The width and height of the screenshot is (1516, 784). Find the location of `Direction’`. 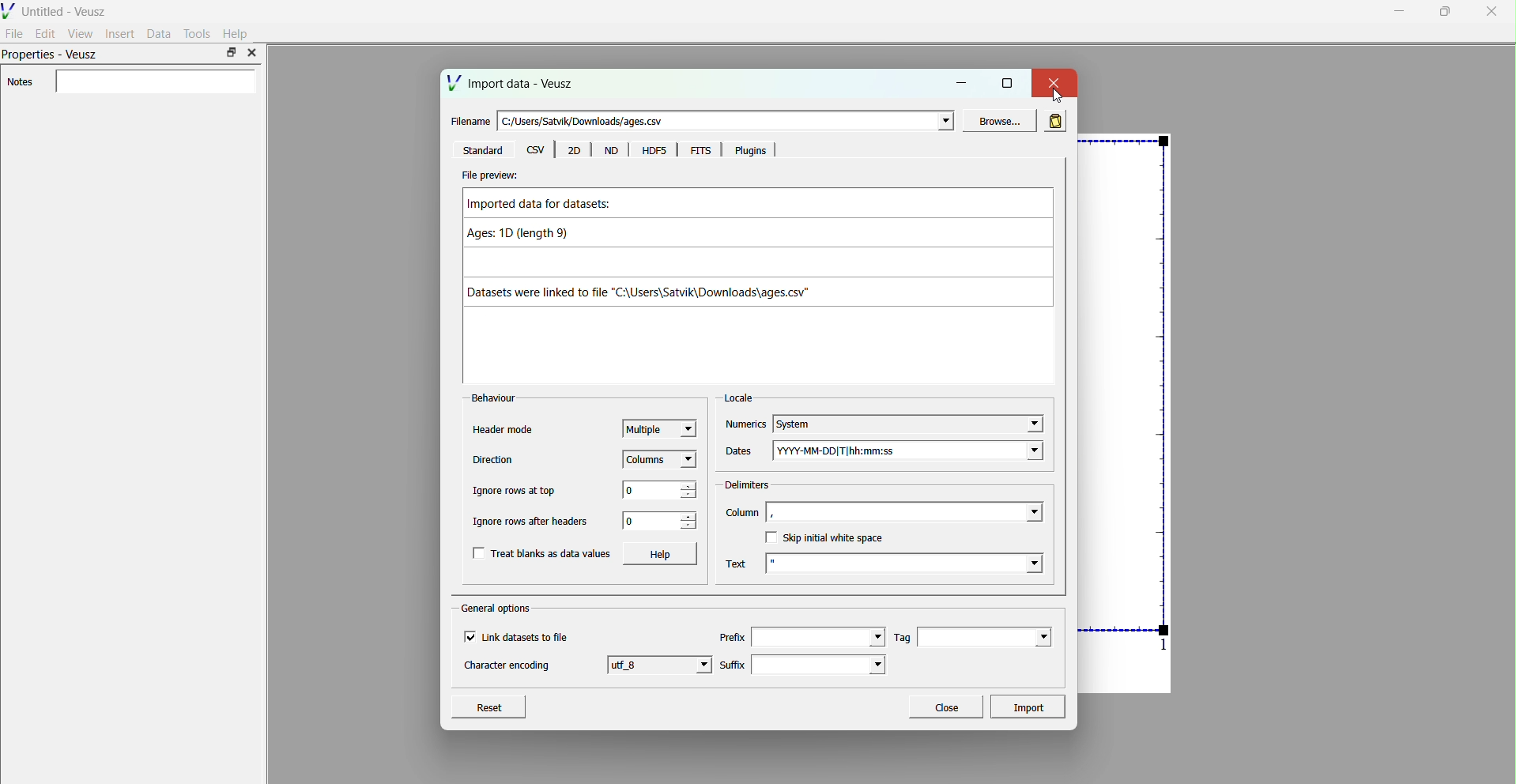

Direction’ is located at coordinates (492, 459).